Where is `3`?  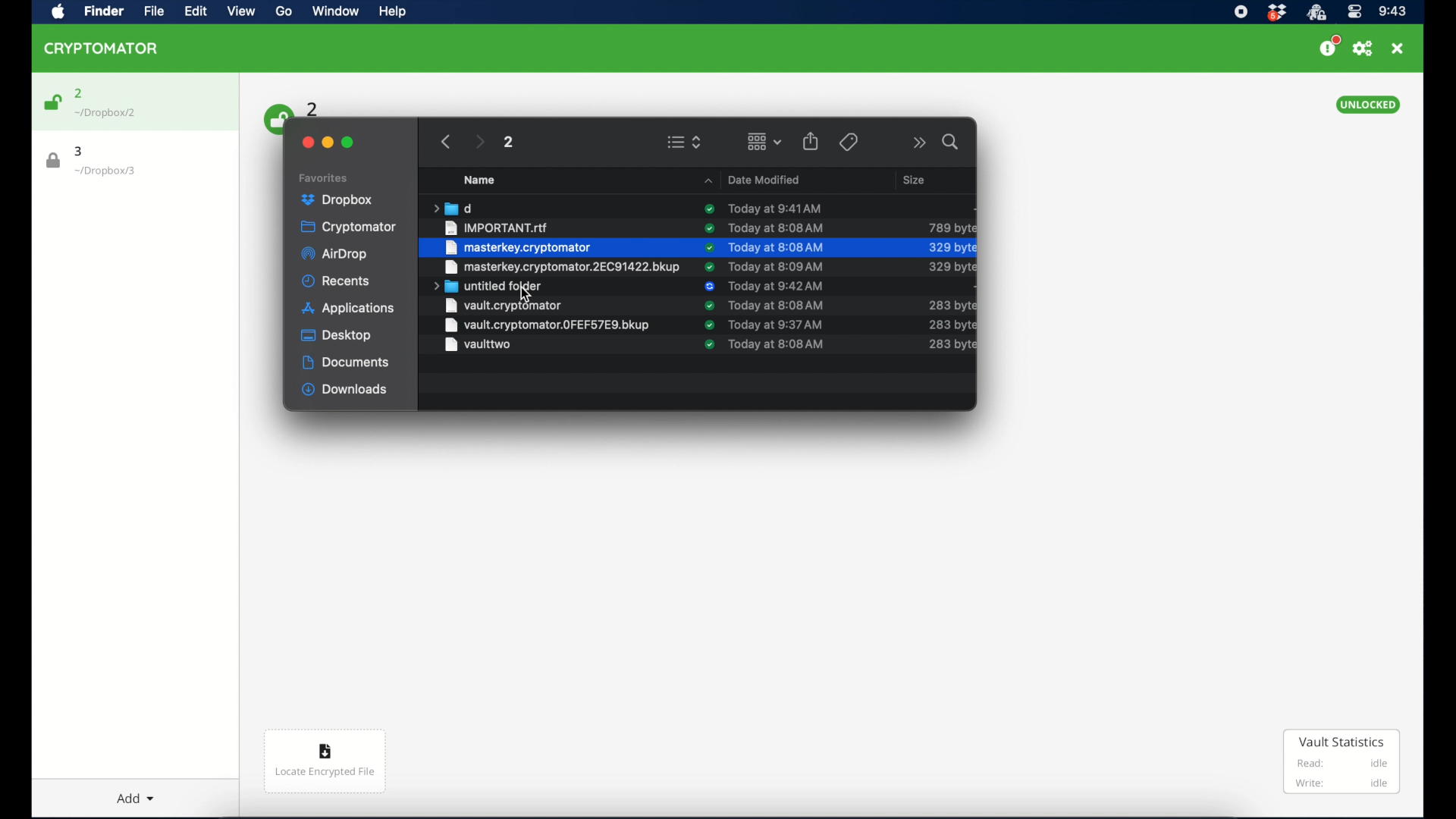 3 is located at coordinates (80, 151).